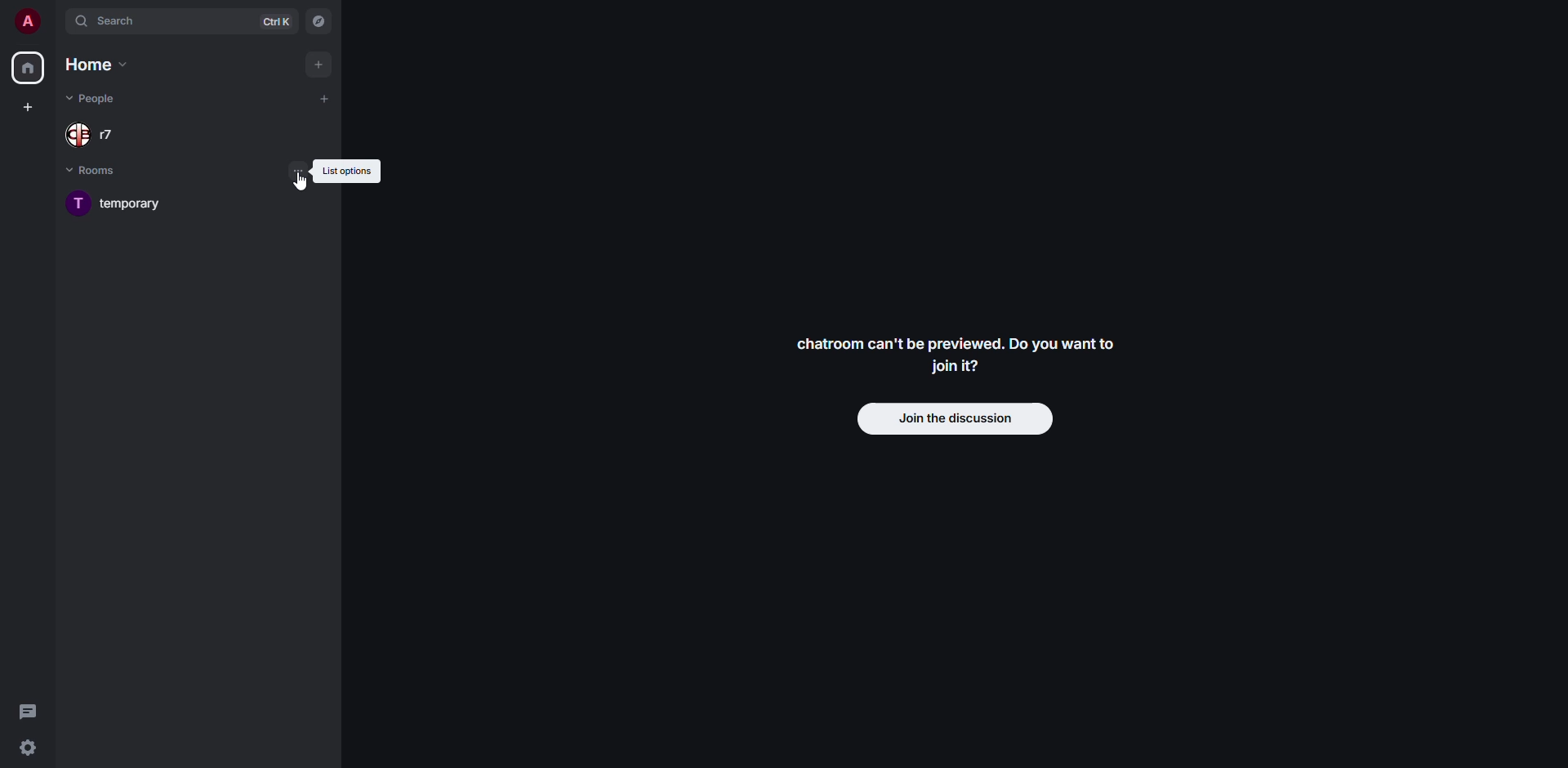  I want to click on people, so click(96, 136).